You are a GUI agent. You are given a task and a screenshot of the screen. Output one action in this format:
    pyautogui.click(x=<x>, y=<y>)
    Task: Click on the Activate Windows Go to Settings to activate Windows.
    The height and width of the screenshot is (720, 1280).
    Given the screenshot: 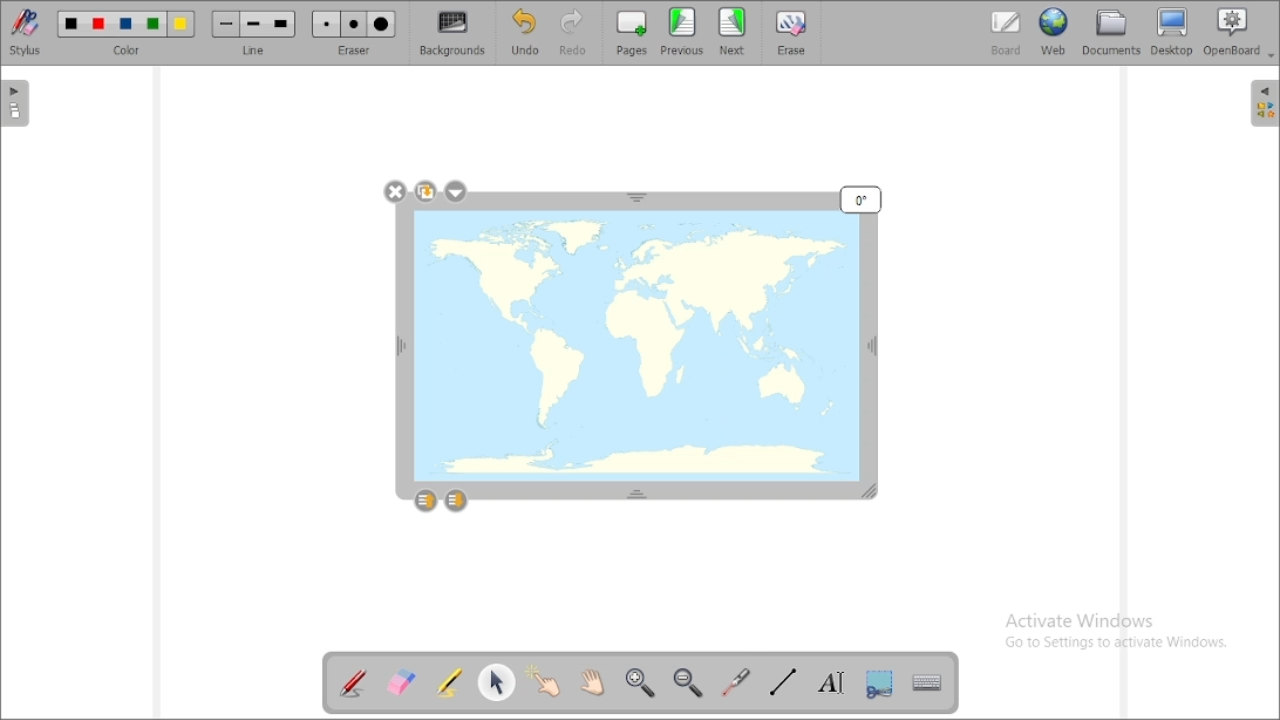 What is the action you would take?
    pyautogui.click(x=1103, y=636)
    